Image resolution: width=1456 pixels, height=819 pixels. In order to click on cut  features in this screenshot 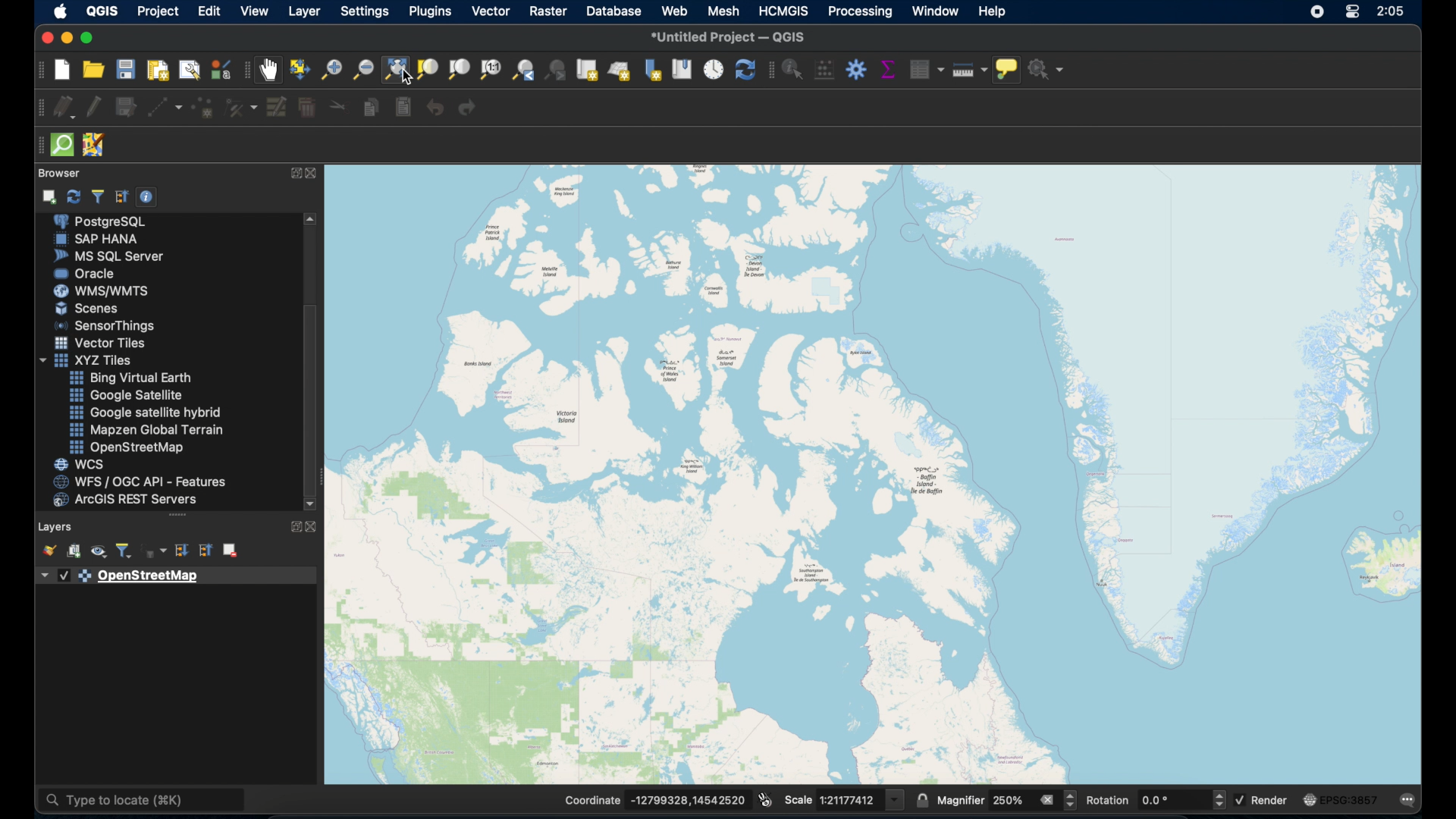, I will do `click(336, 108)`.